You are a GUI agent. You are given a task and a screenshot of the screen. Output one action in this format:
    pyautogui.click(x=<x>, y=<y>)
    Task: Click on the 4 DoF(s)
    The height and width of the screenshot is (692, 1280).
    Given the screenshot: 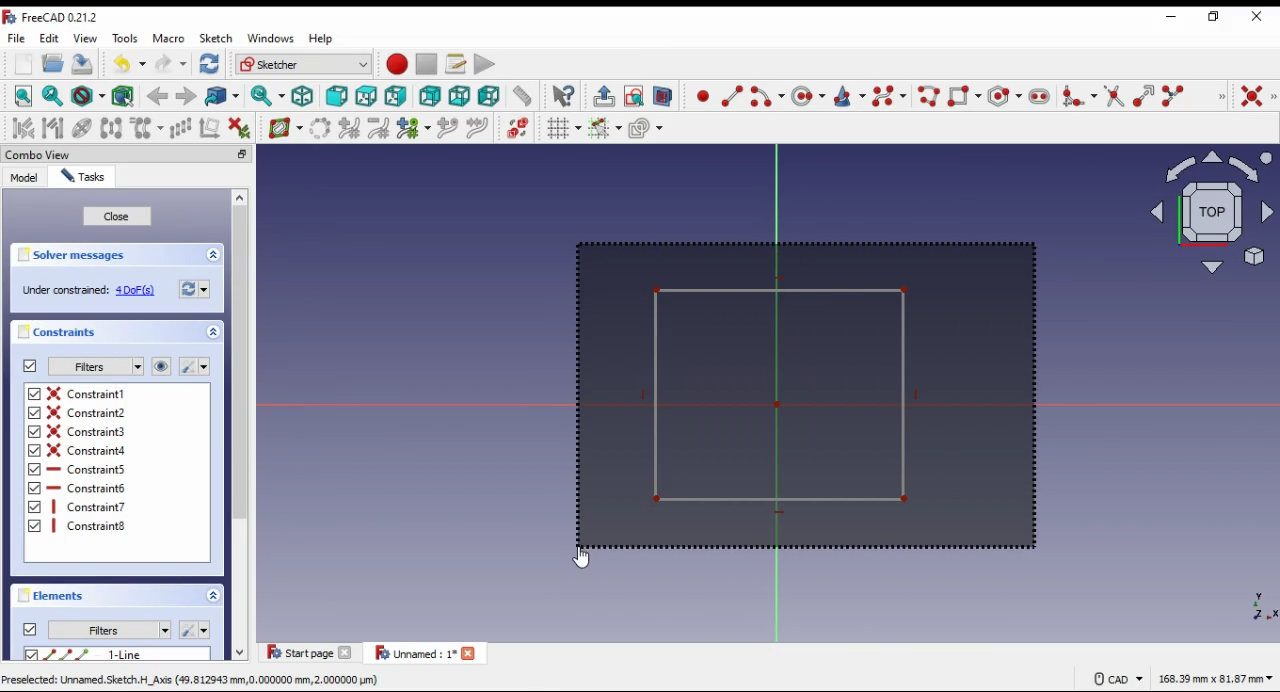 What is the action you would take?
    pyautogui.click(x=137, y=291)
    